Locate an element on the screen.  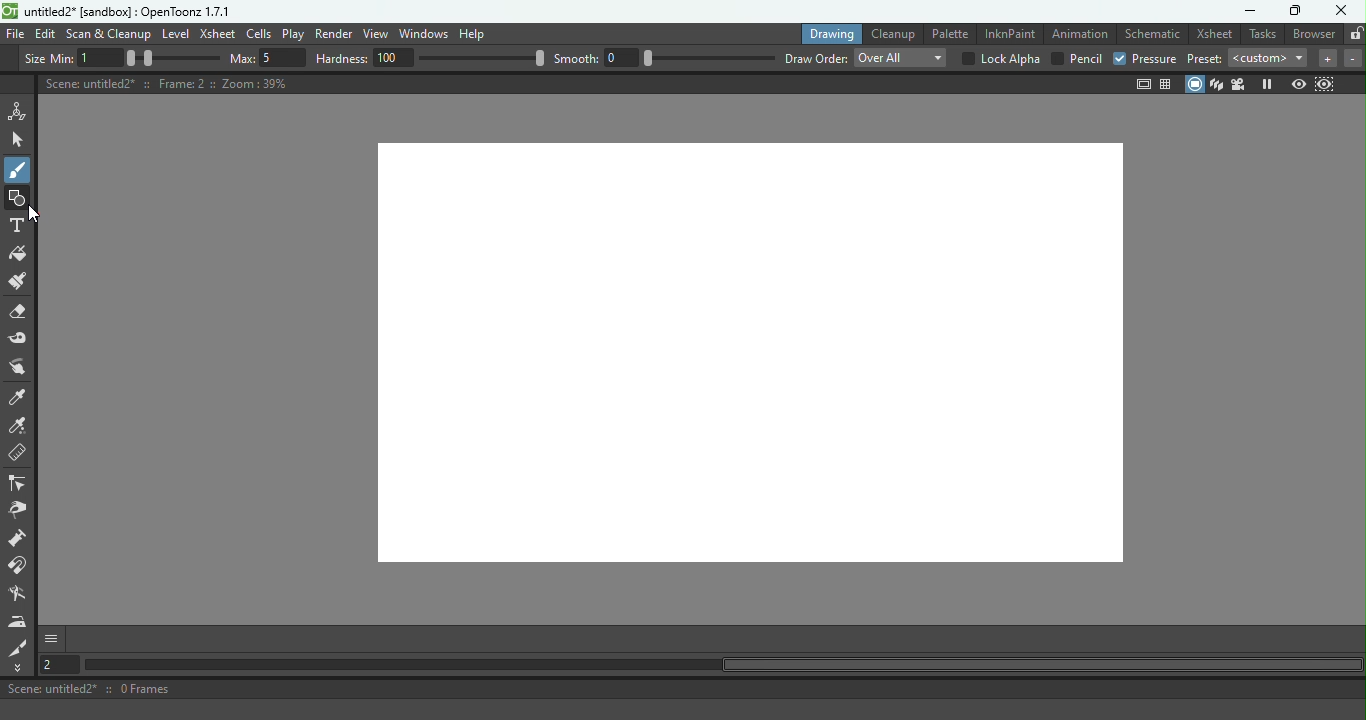
Render is located at coordinates (334, 34).